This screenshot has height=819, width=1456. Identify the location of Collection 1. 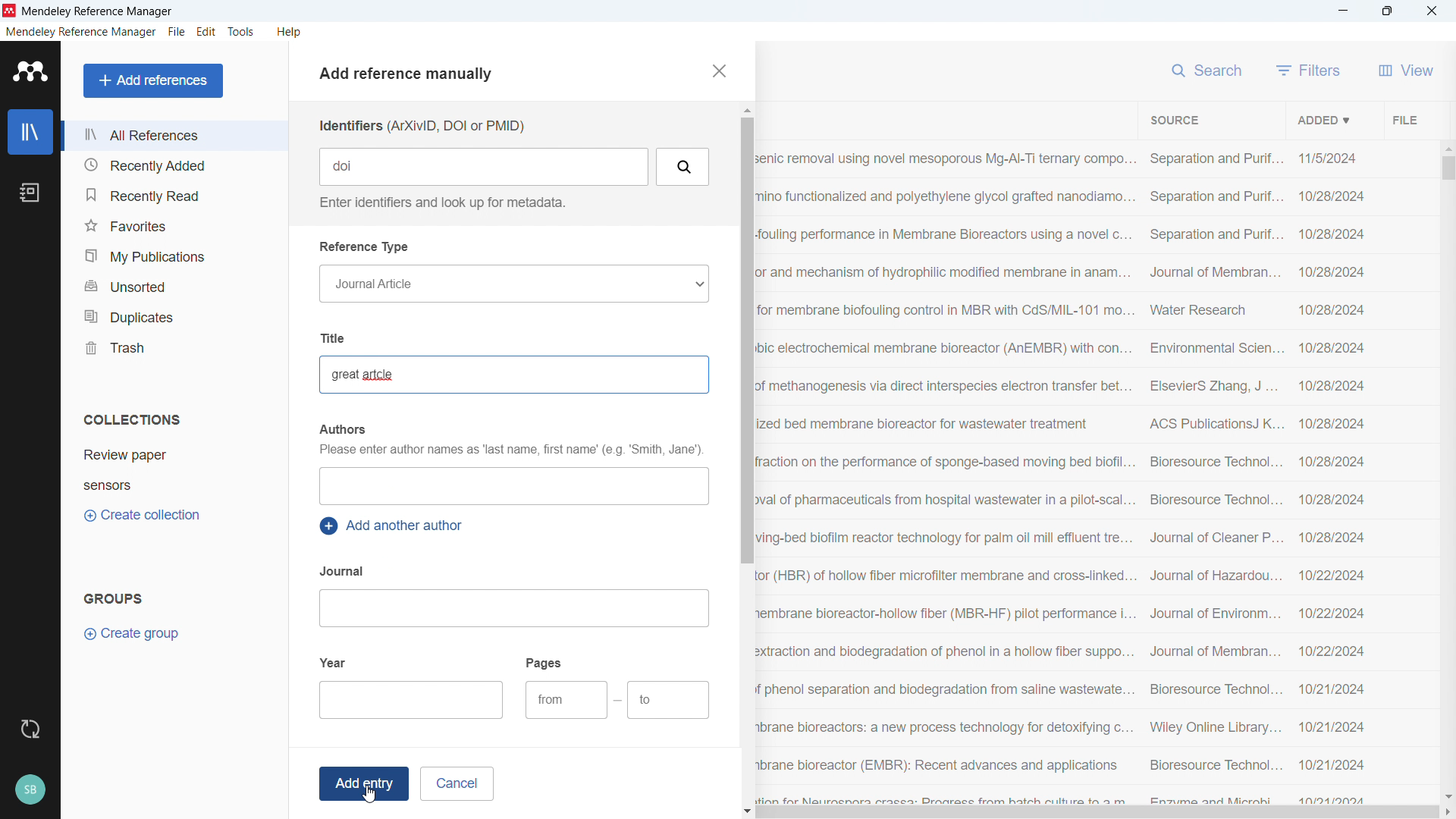
(176, 455).